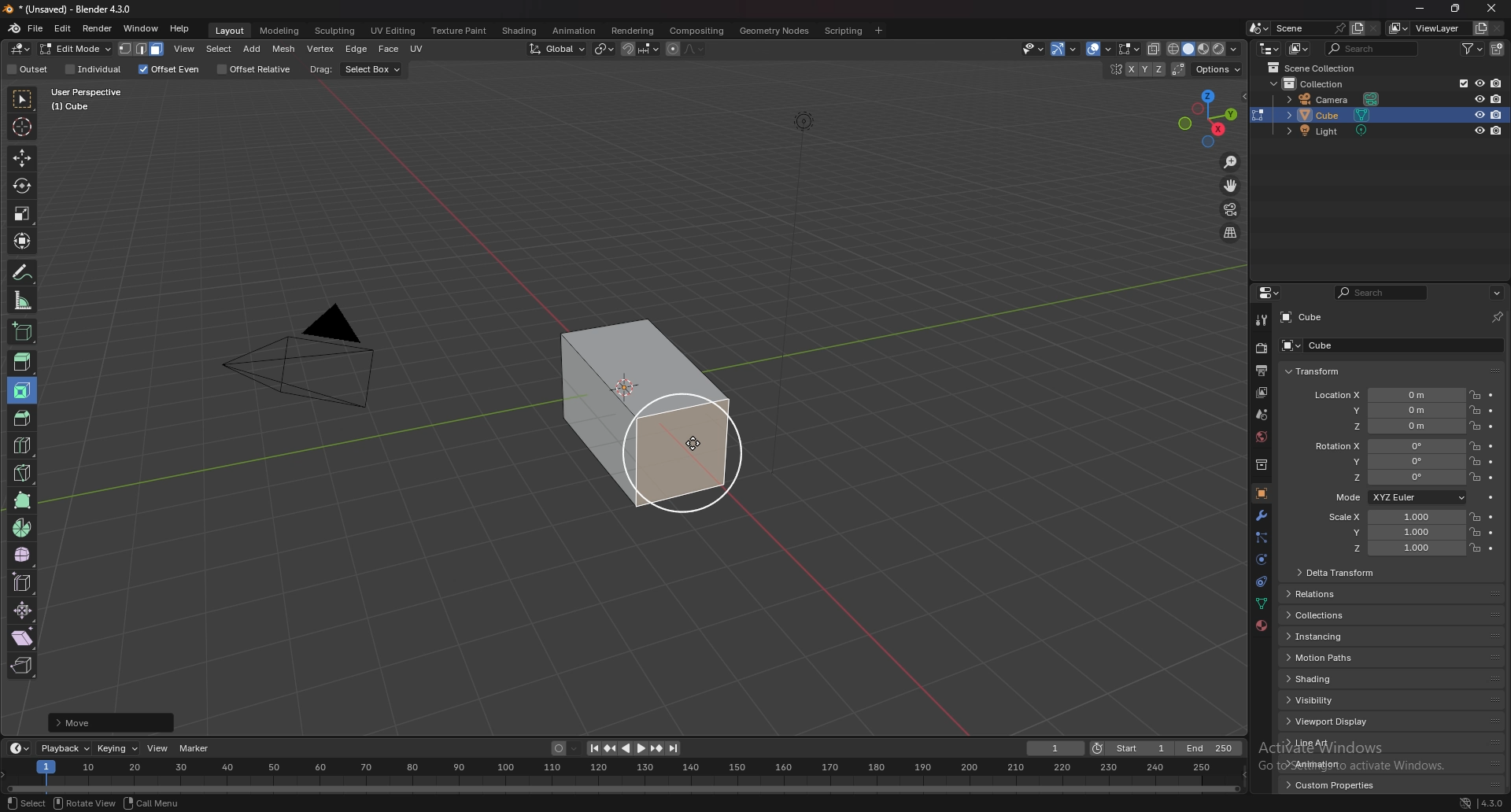 Image resolution: width=1511 pixels, height=812 pixels. What do you see at coordinates (321, 69) in the screenshot?
I see `drag` at bounding box center [321, 69].